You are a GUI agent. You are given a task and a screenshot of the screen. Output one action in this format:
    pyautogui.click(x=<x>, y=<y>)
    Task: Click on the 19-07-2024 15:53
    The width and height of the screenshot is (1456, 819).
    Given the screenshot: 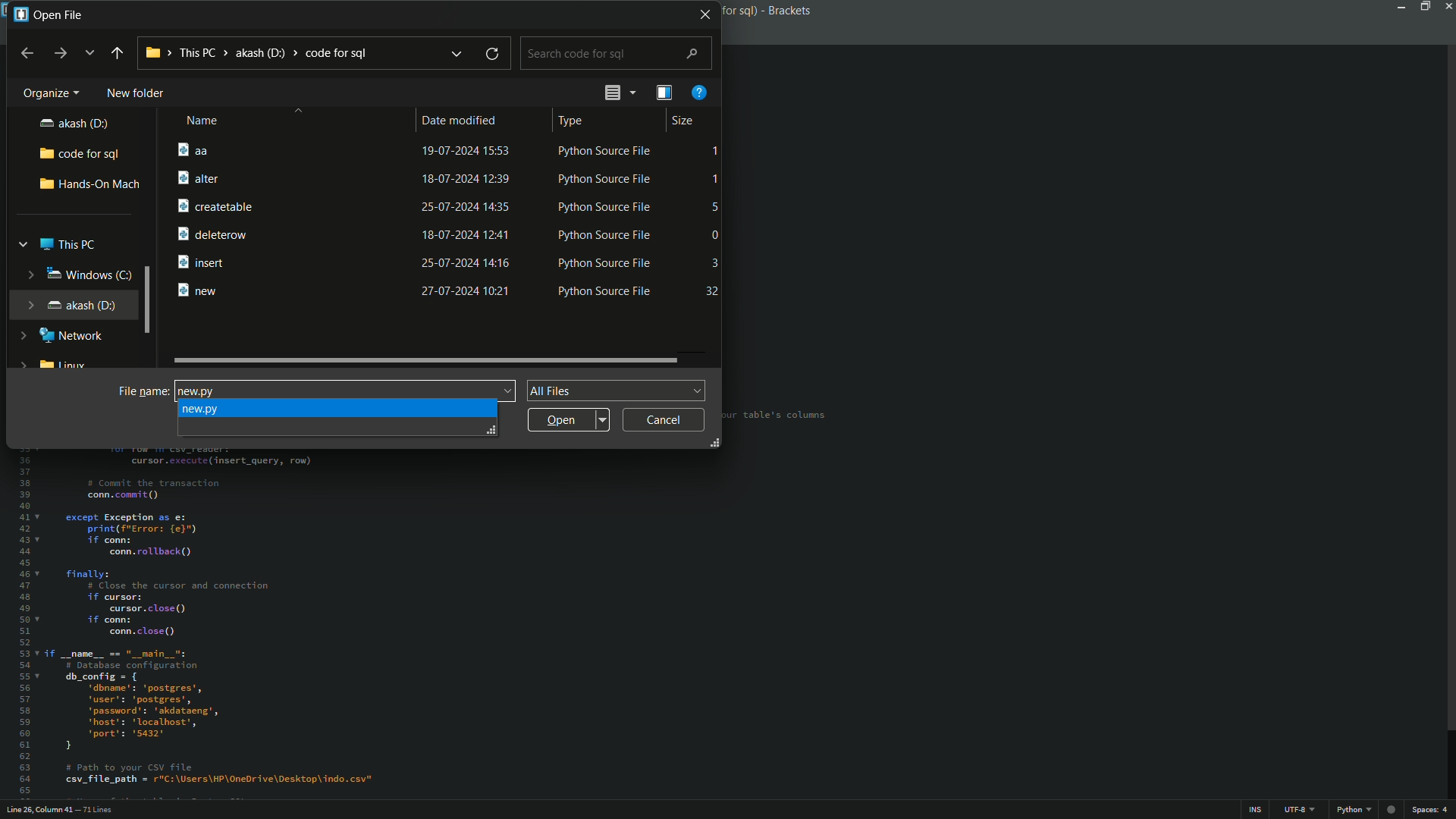 What is the action you would take?
    pyautogui.click(x=467, y=150)
    